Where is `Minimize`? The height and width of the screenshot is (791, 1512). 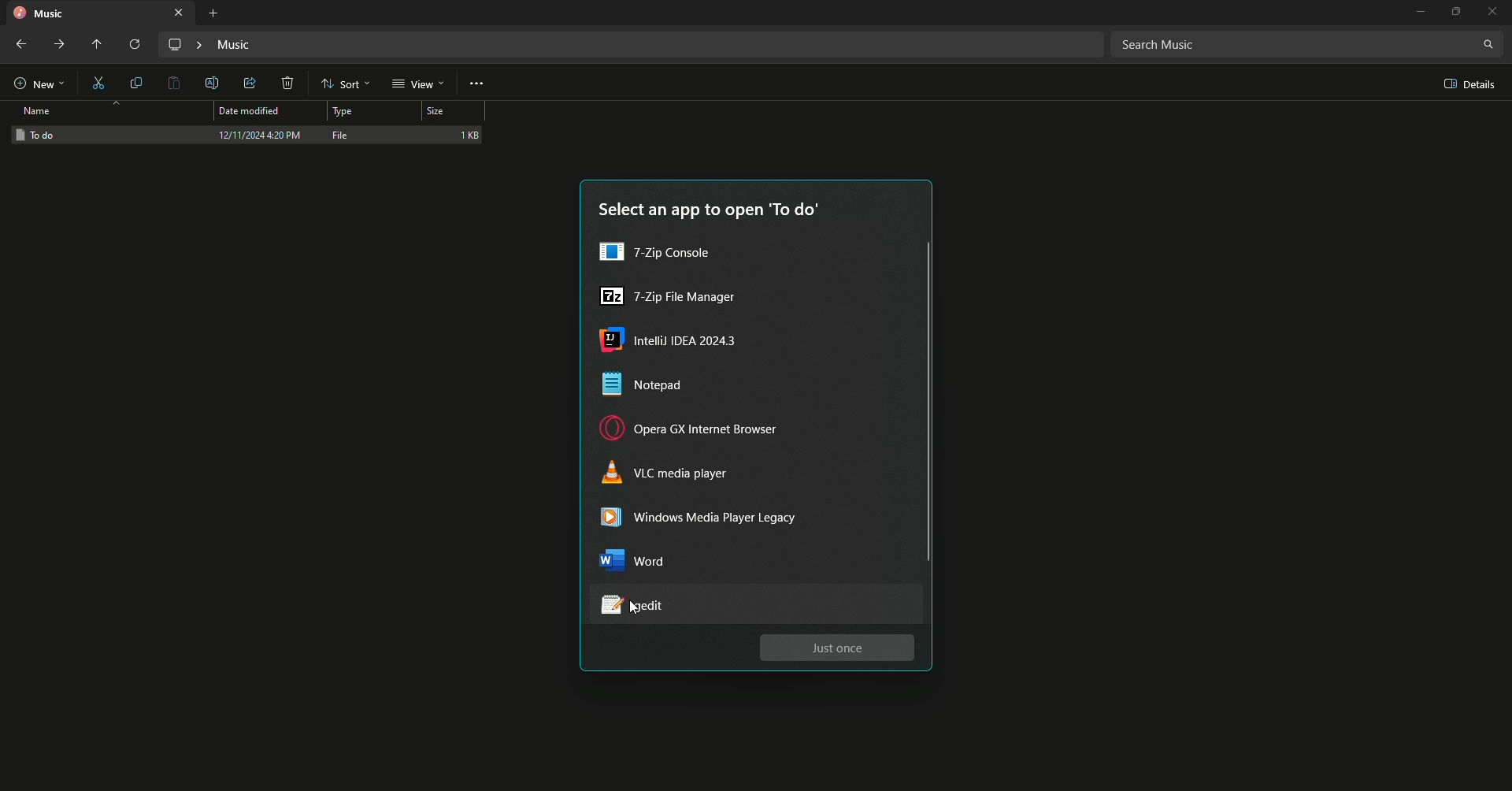 Minimize is located at coordinates (1419, 13).